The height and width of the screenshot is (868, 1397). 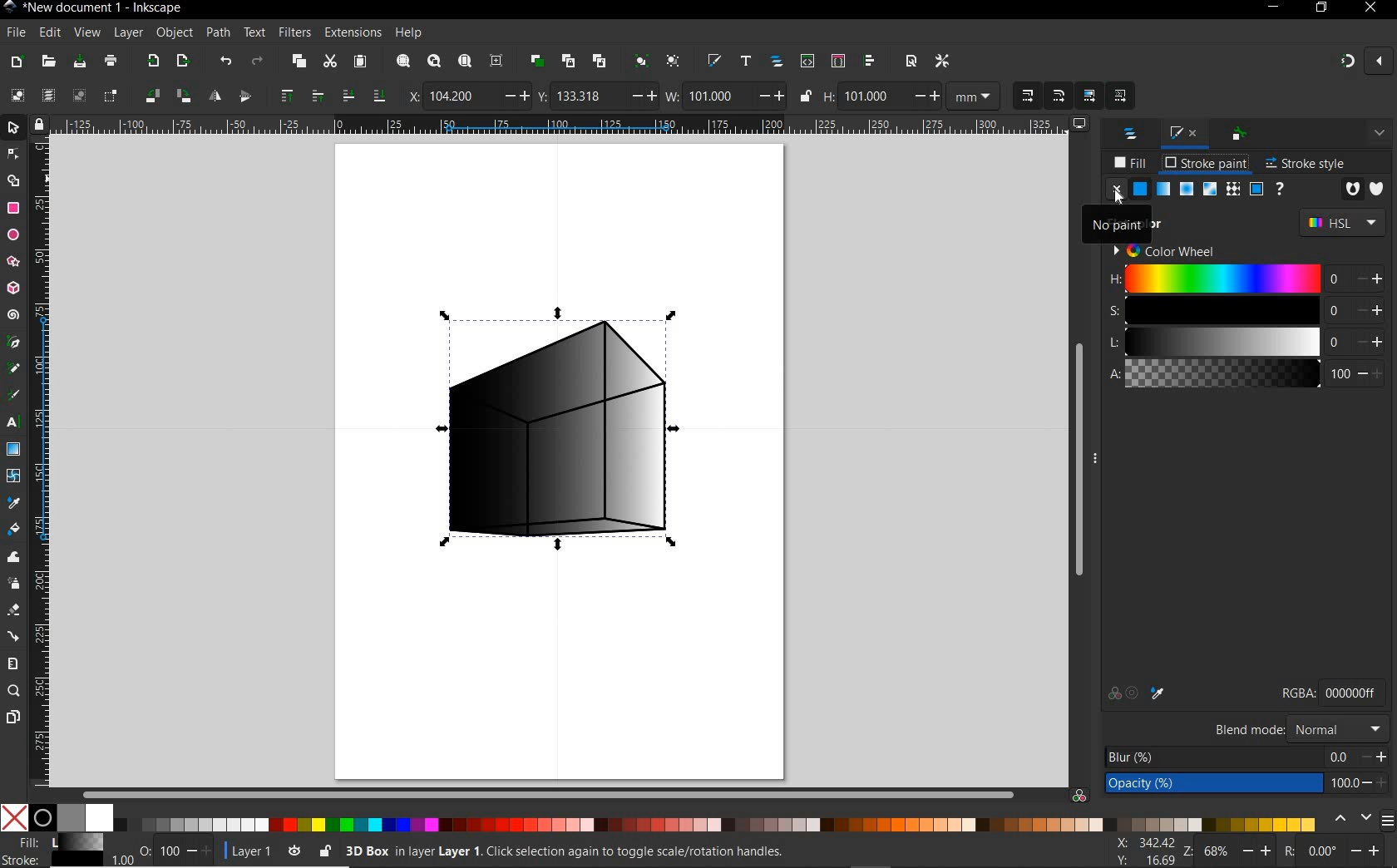 What do you see at coordinates (1305, 165) in the screenshot?
I see `STROKE STYLE` at bounding box center [1305, 165].